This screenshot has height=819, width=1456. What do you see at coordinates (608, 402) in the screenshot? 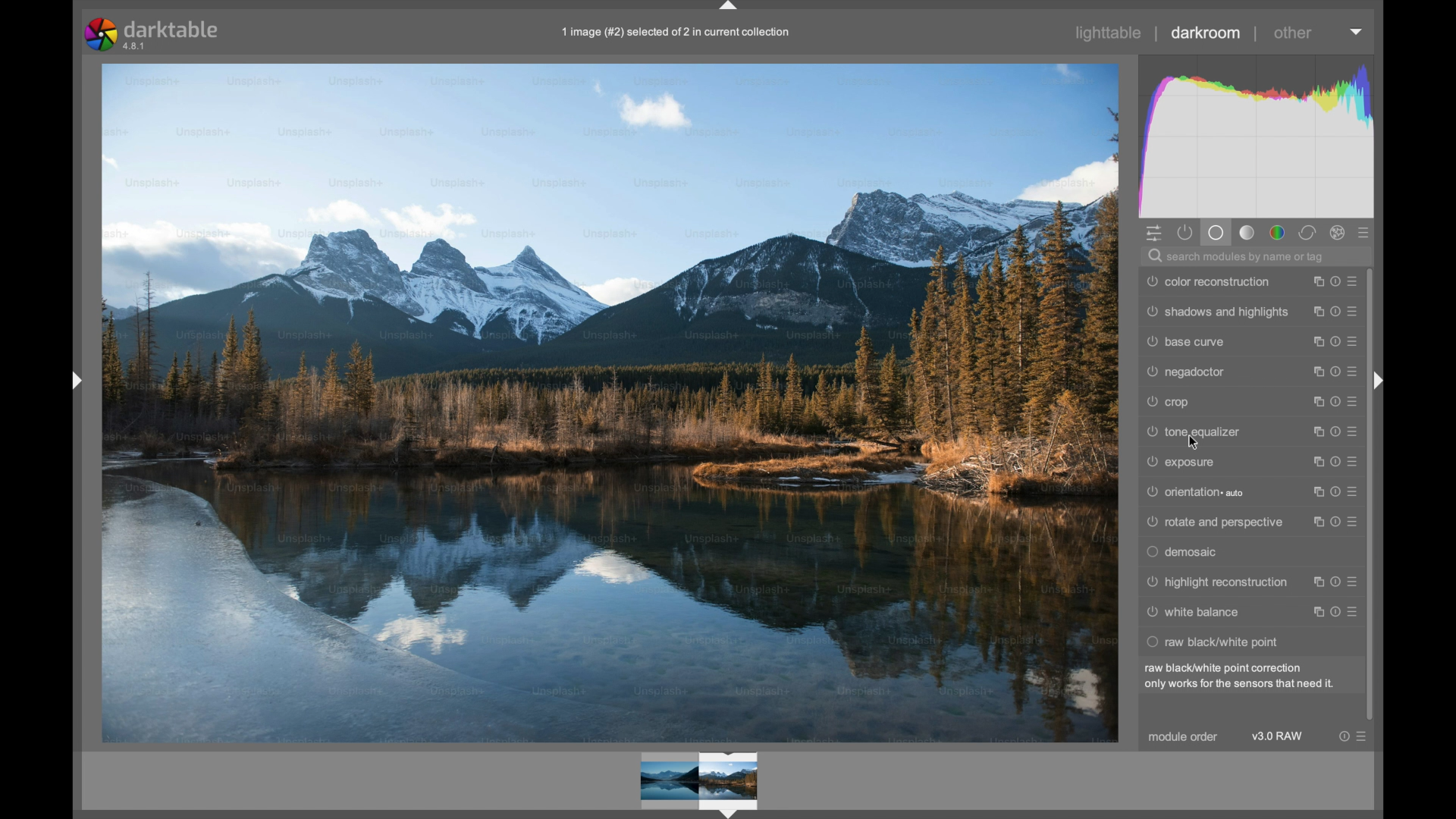
I see `video preview` at bounding box center [608, 402].